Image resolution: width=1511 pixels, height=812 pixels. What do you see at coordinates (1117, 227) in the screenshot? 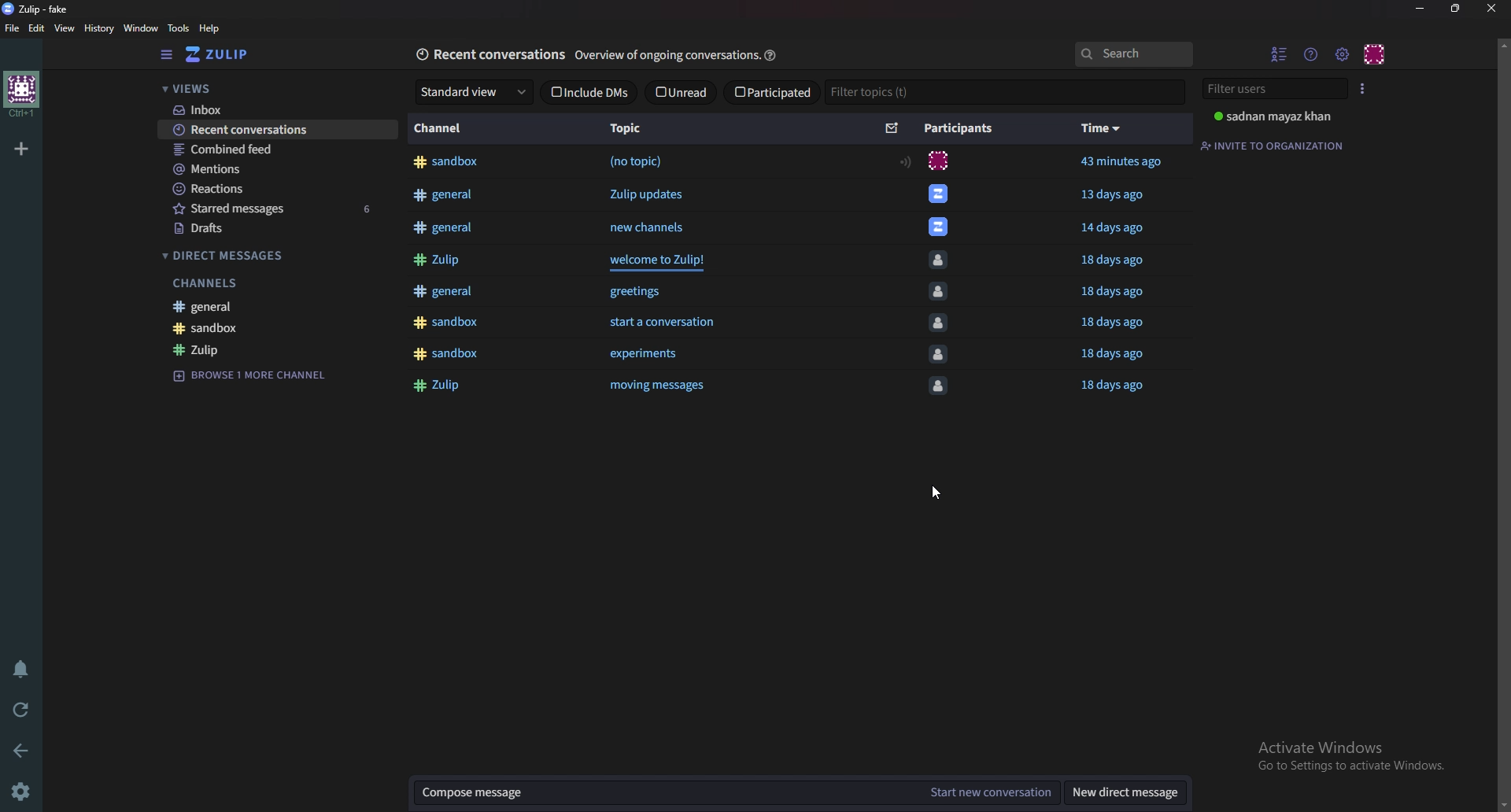
I see `14 days ago` at bounding box center [1117, 227].